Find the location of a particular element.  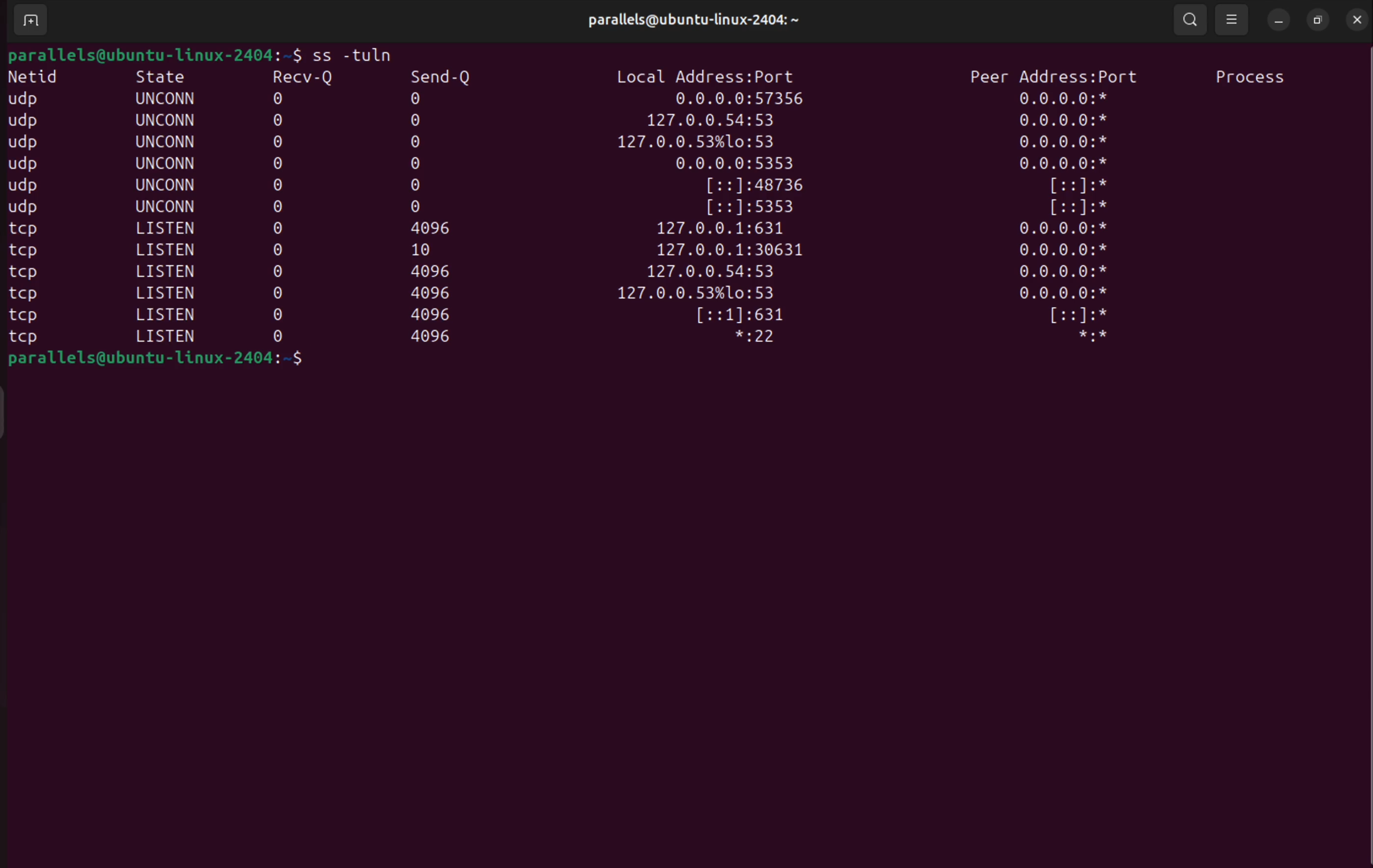

0 is located at coordinates (283, 99).